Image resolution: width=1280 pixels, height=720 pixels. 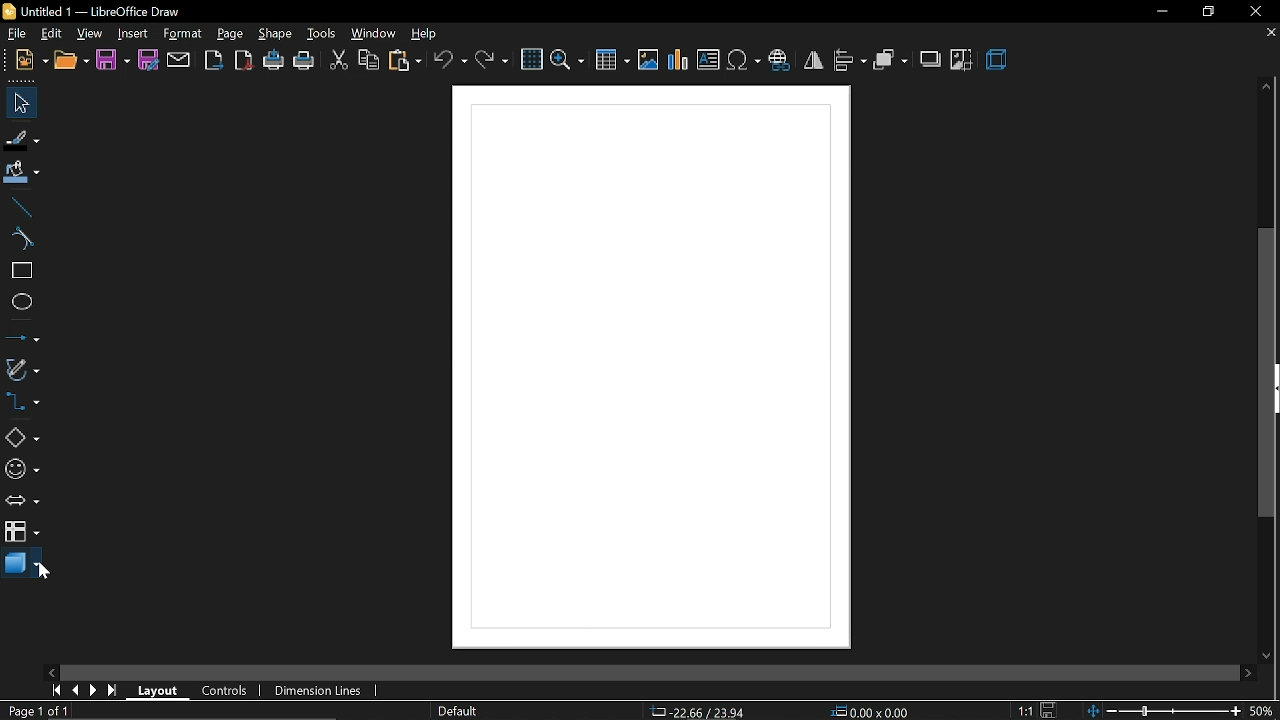 What do you see at coordinates (1270, 374) in the screenshot?
I see `Vertical scrollbar` at bounding box center [1270, 374].